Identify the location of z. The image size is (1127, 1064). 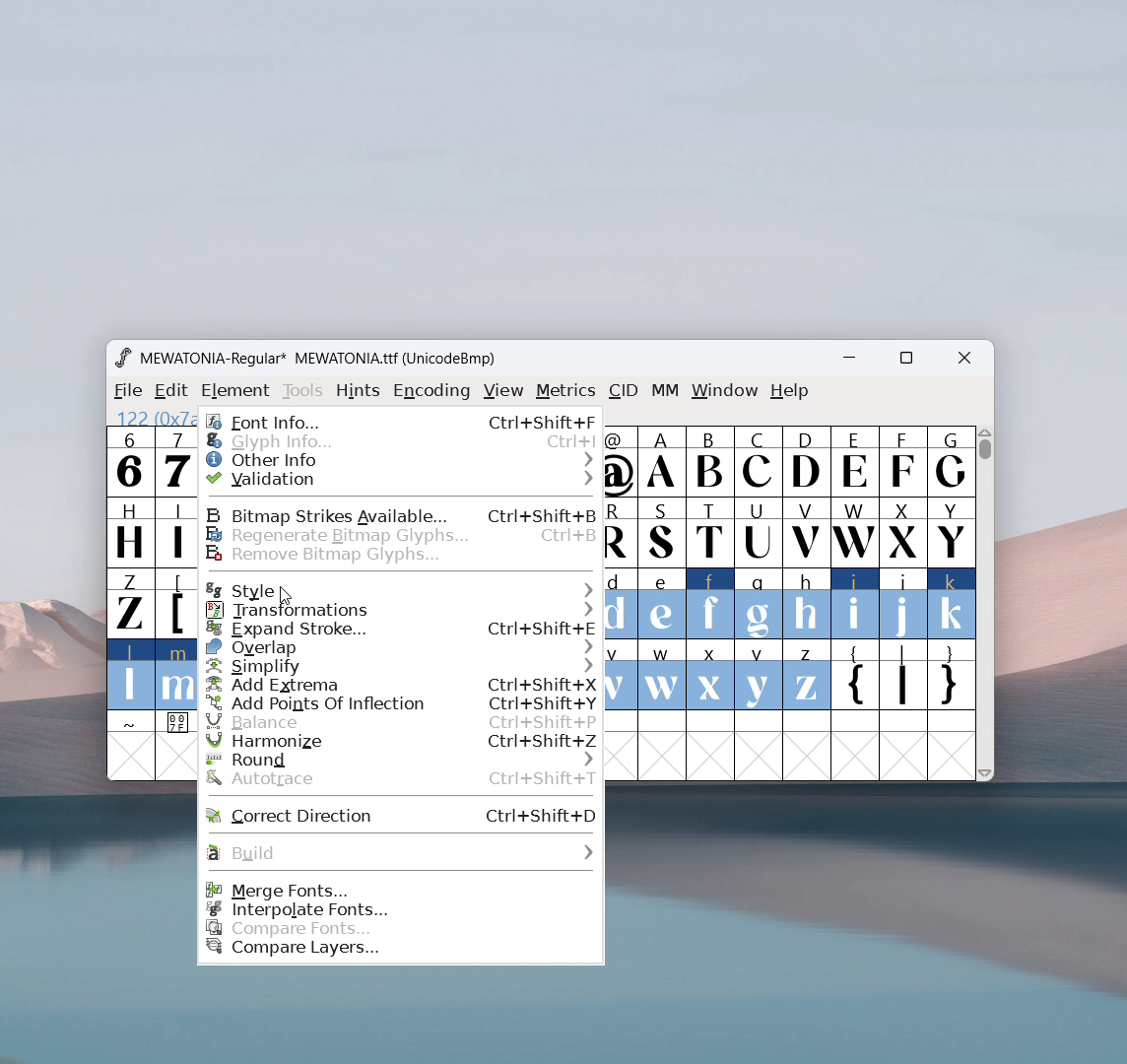
(806, 675).